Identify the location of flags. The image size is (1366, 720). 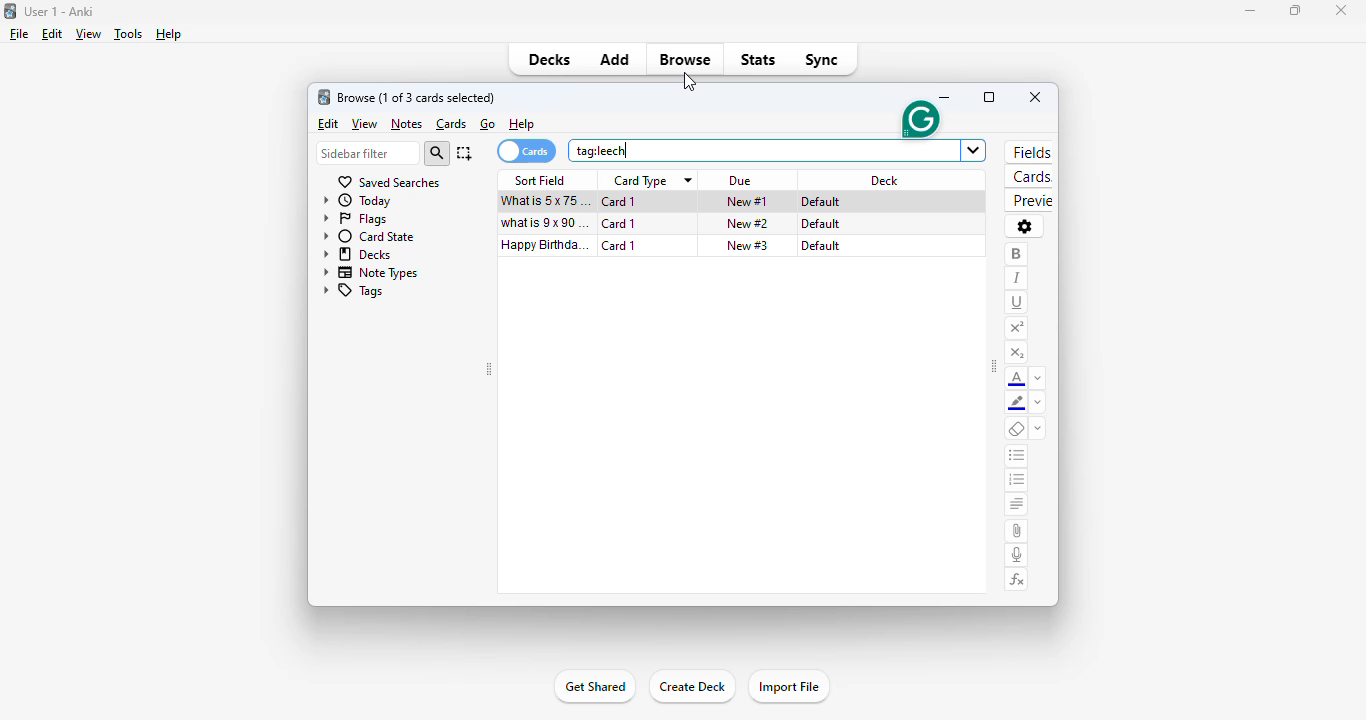
(354, 220).